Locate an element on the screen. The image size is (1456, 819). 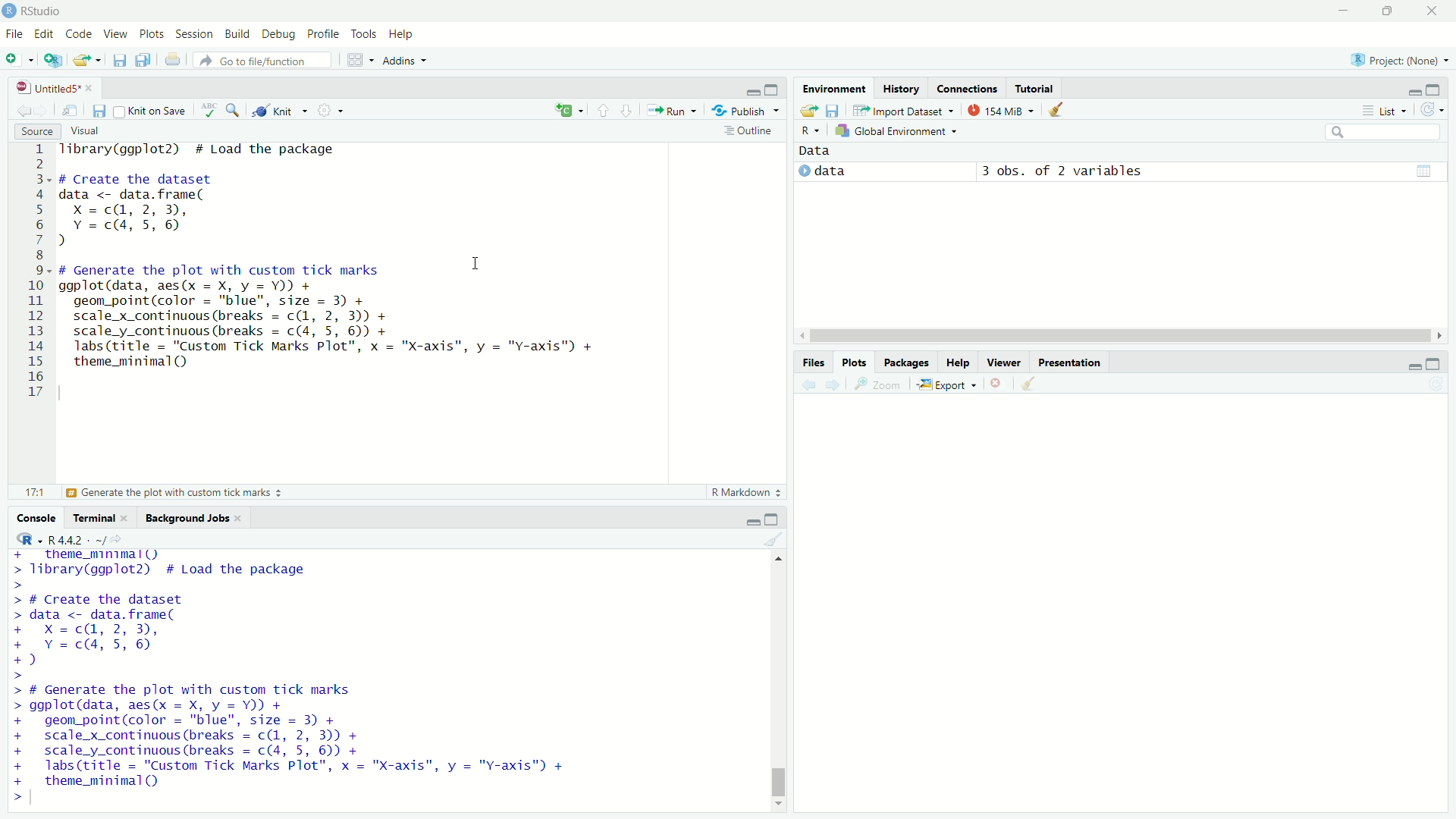
go to previous section/chunk is located at coordinates (602, 110).